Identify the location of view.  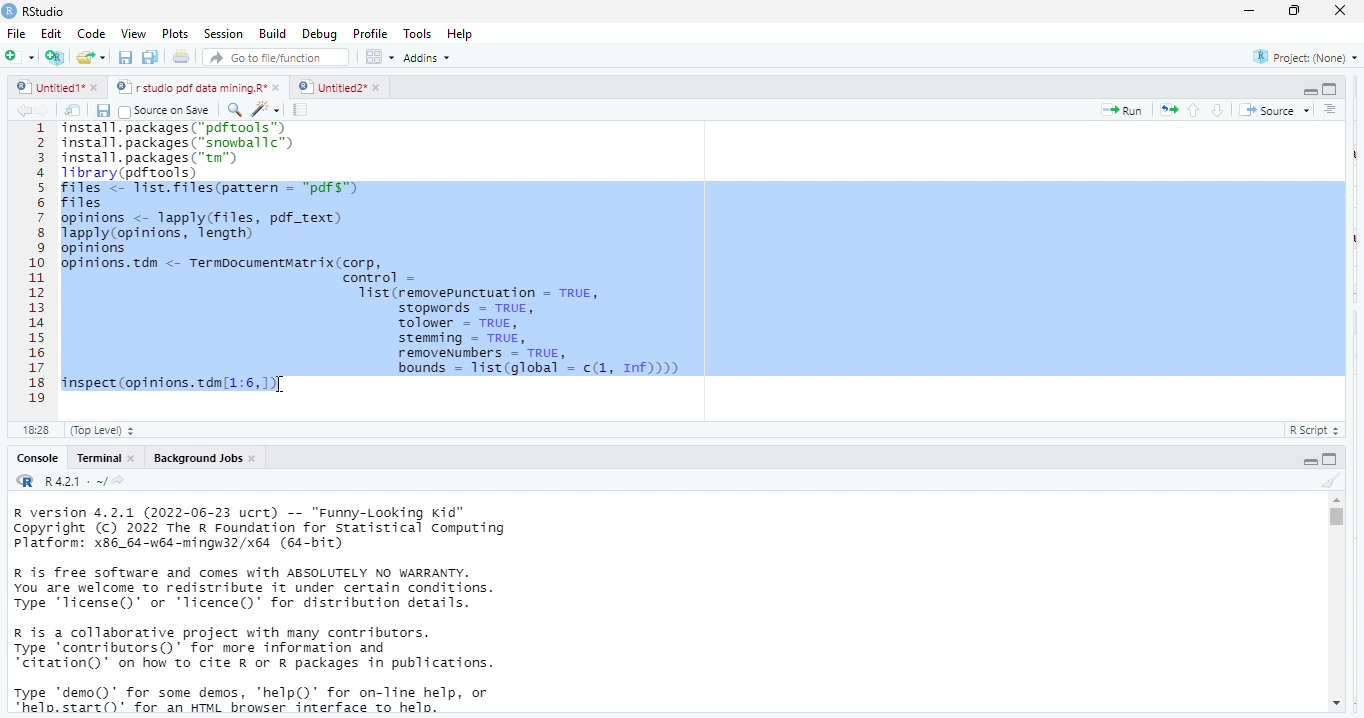
(128, 34).